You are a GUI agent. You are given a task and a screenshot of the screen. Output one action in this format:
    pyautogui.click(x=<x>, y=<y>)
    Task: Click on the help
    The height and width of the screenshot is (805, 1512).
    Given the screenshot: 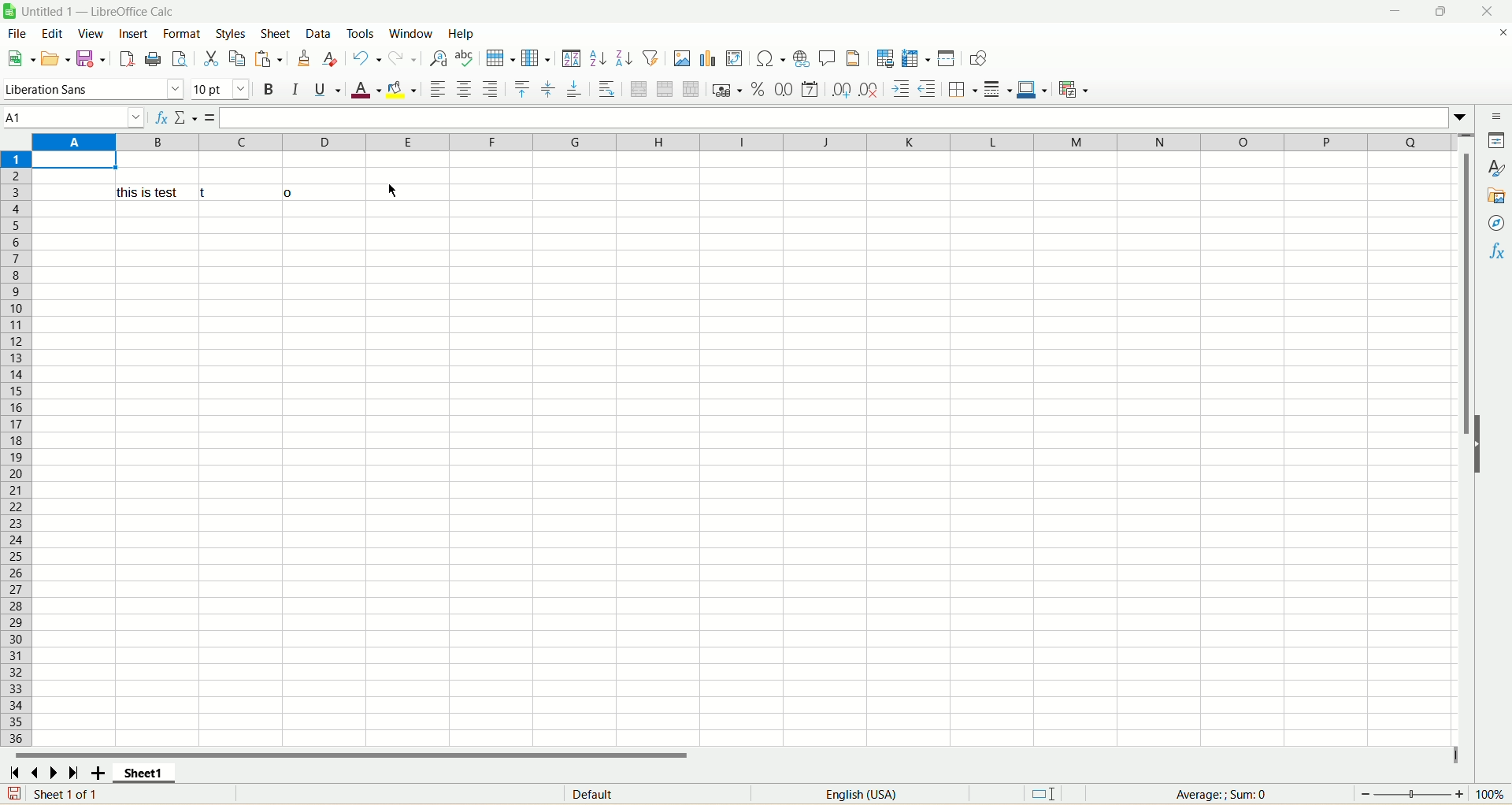 What is the action you would take?
    pyautogui.click(x=461, y=35)
    